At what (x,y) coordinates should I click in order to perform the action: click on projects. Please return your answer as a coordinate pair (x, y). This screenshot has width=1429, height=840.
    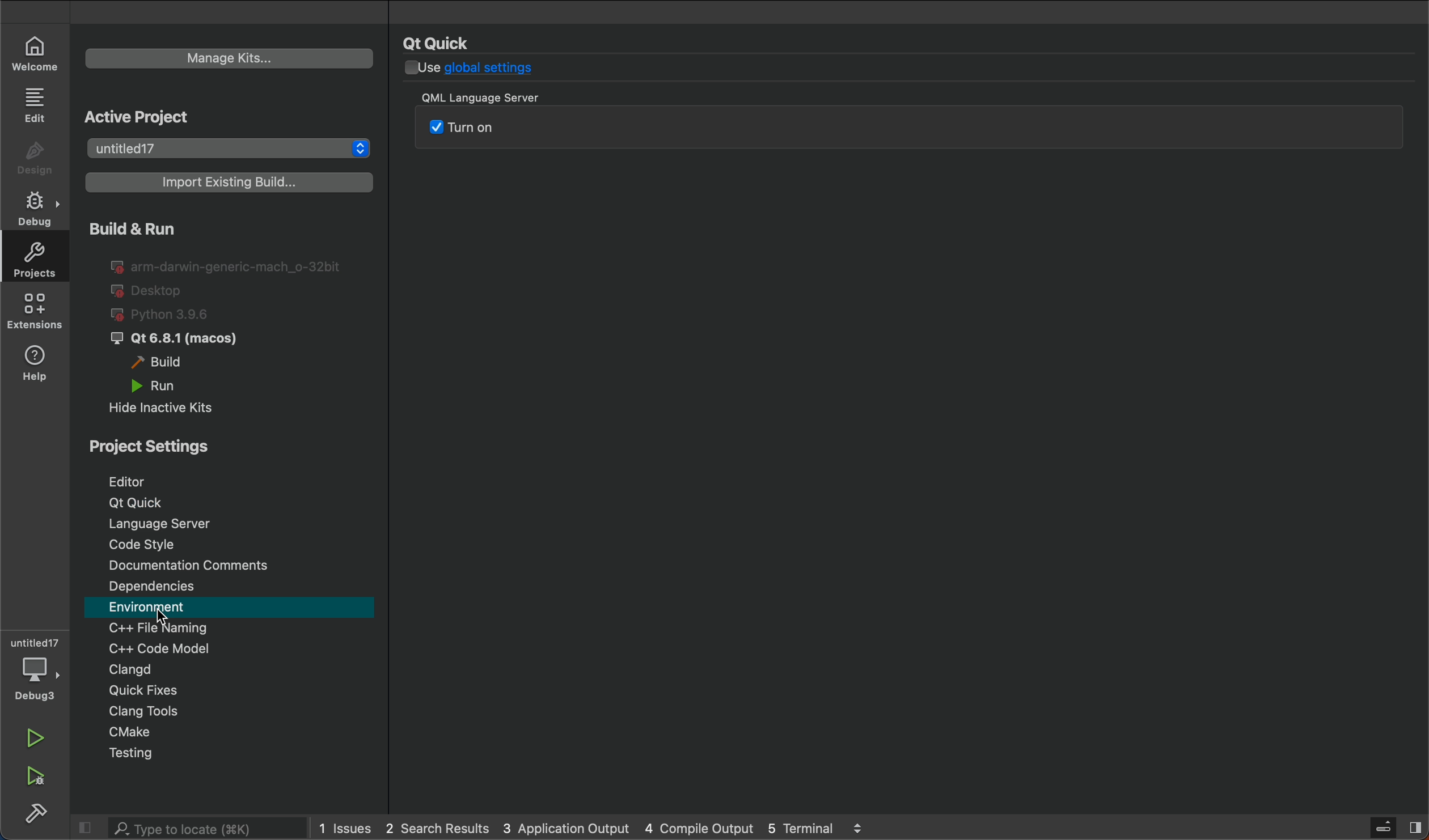
    Looking at the image, I should click on (231, 149).